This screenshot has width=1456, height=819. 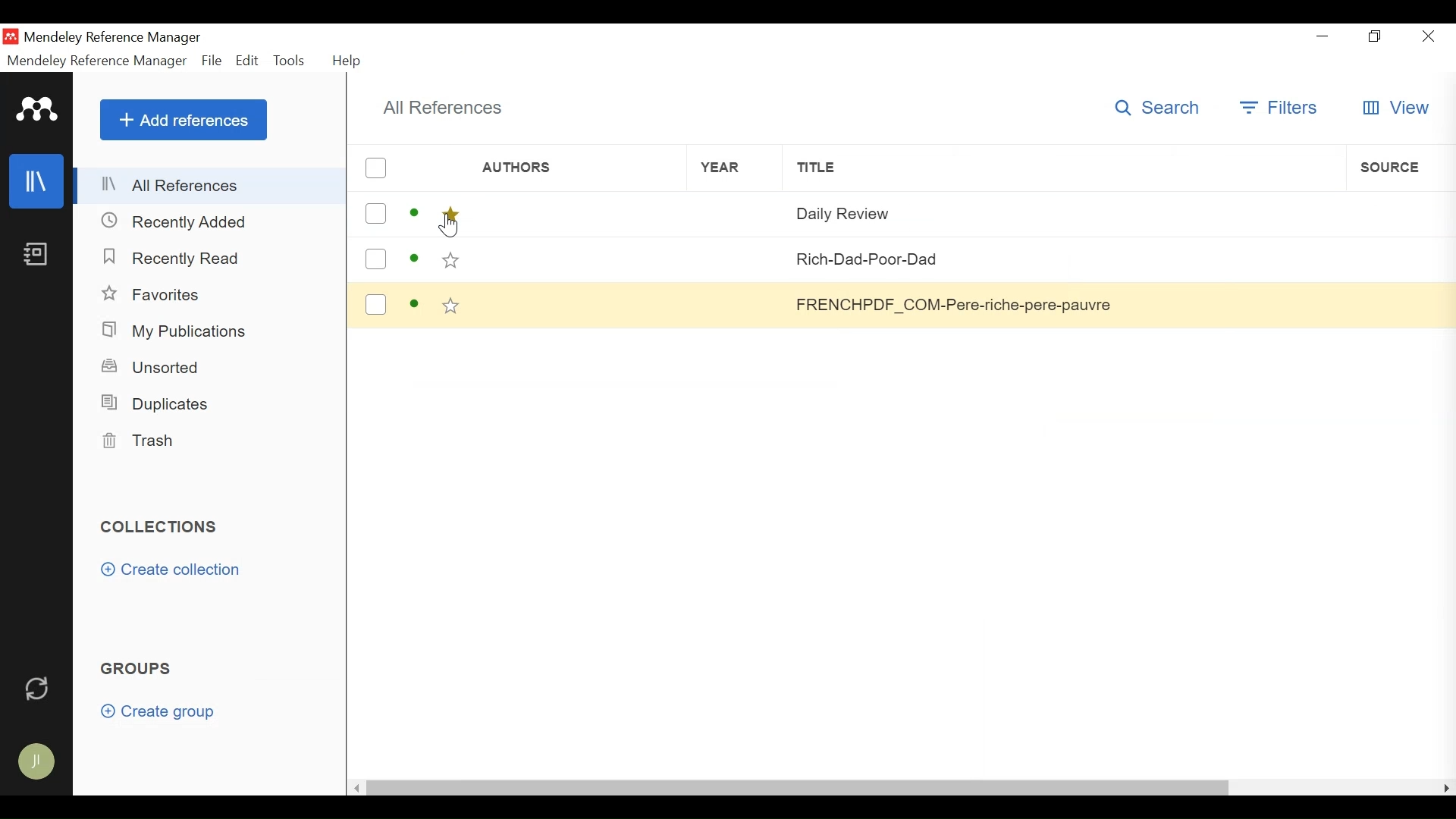 What do you see at coordinates (1376, 36) in the screenshot?
I see `Restore` at bounding box center [1376, 36].